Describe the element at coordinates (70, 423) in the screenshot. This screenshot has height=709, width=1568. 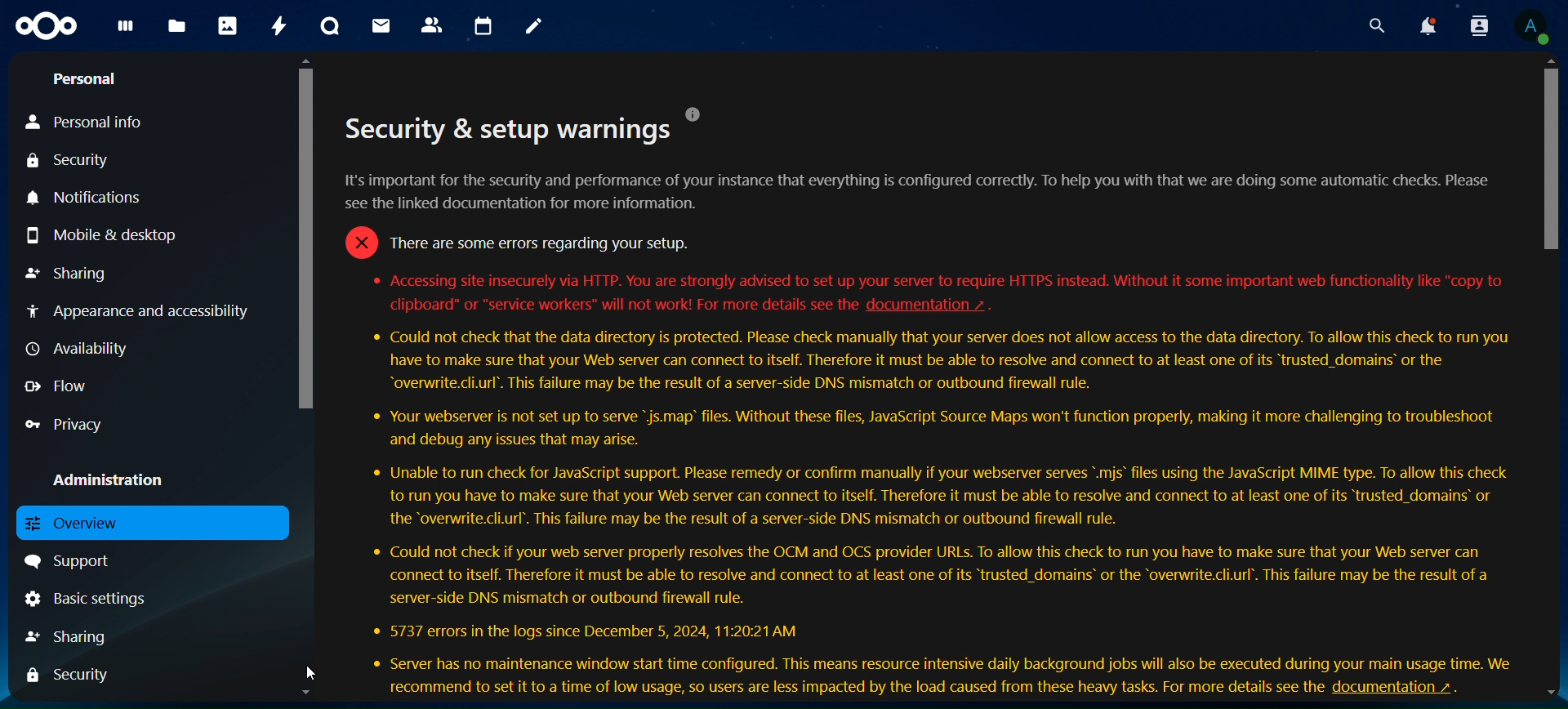
I see `privacy` at that location.